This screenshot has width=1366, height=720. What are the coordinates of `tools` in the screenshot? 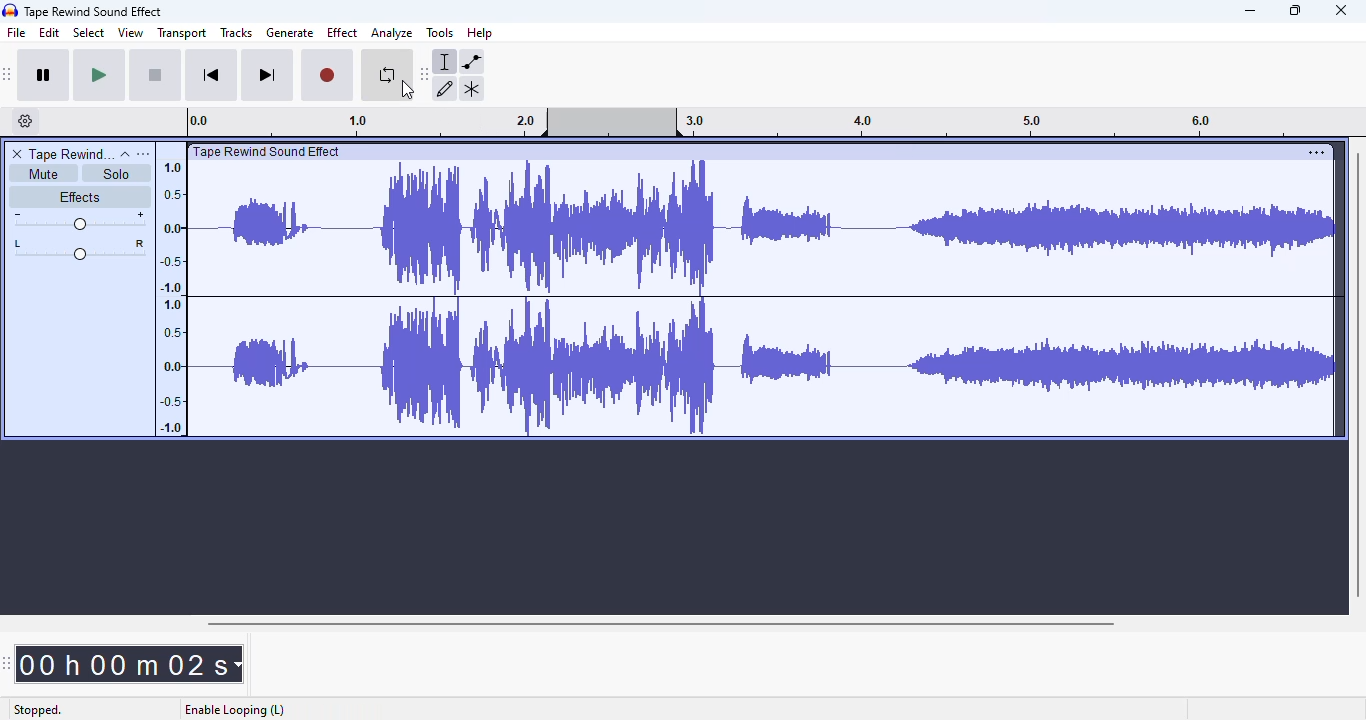 It's located at (441, 32).